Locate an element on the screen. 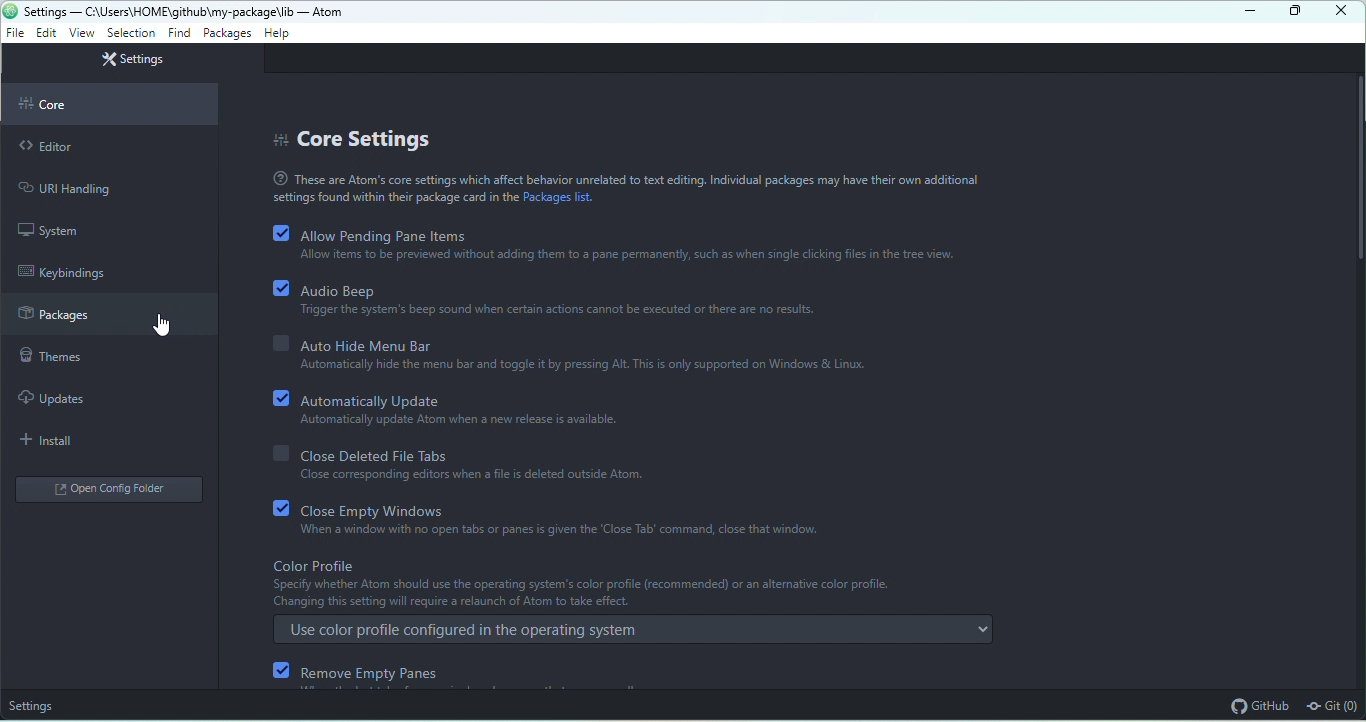  Allow items to be previewed without adding them to a pane permanently, such as when single clicking files in the tree view. is located at coordinates (612, 257).